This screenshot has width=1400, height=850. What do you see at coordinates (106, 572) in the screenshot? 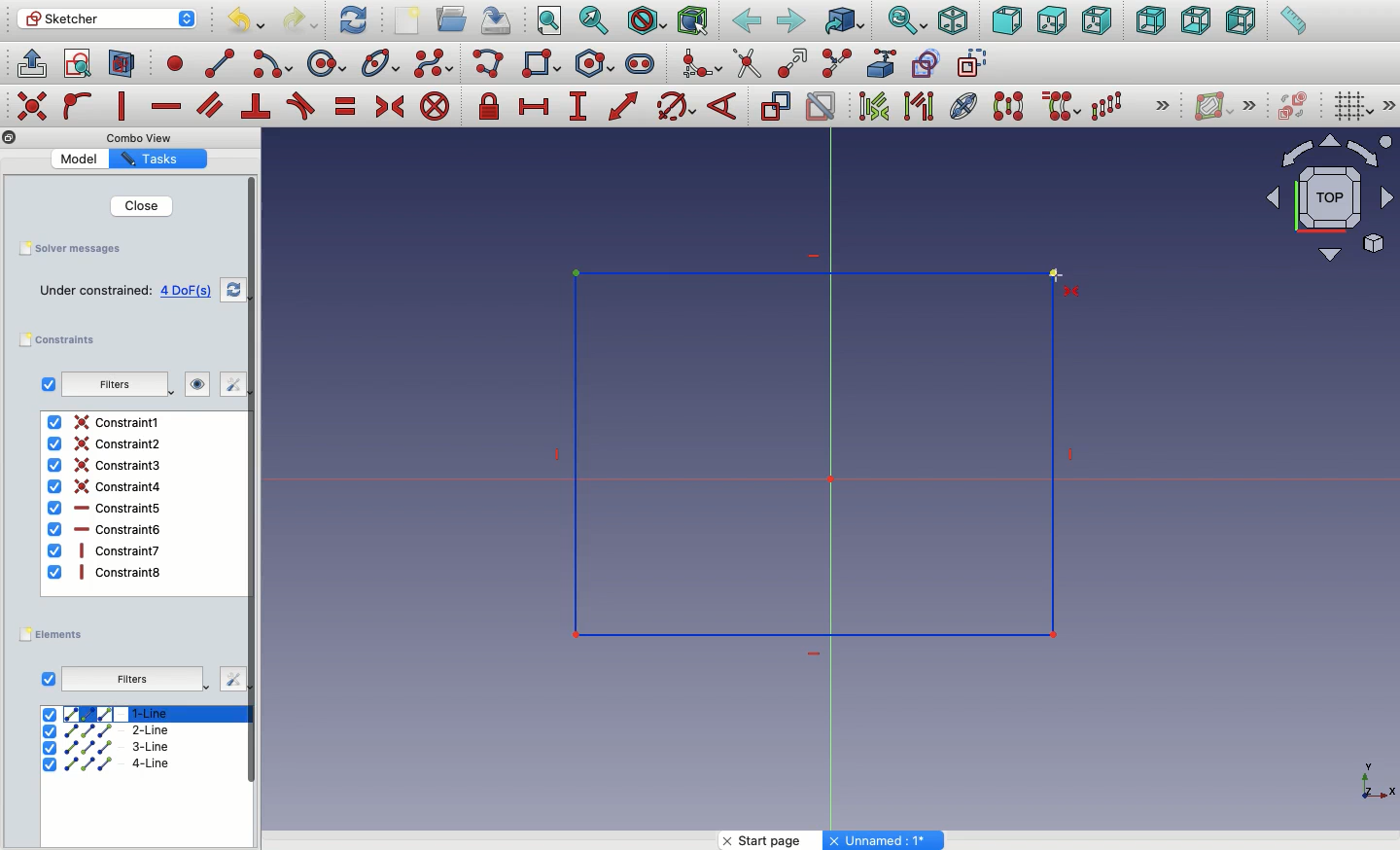
I see `Constraint8` at bounding box center [106, 572].